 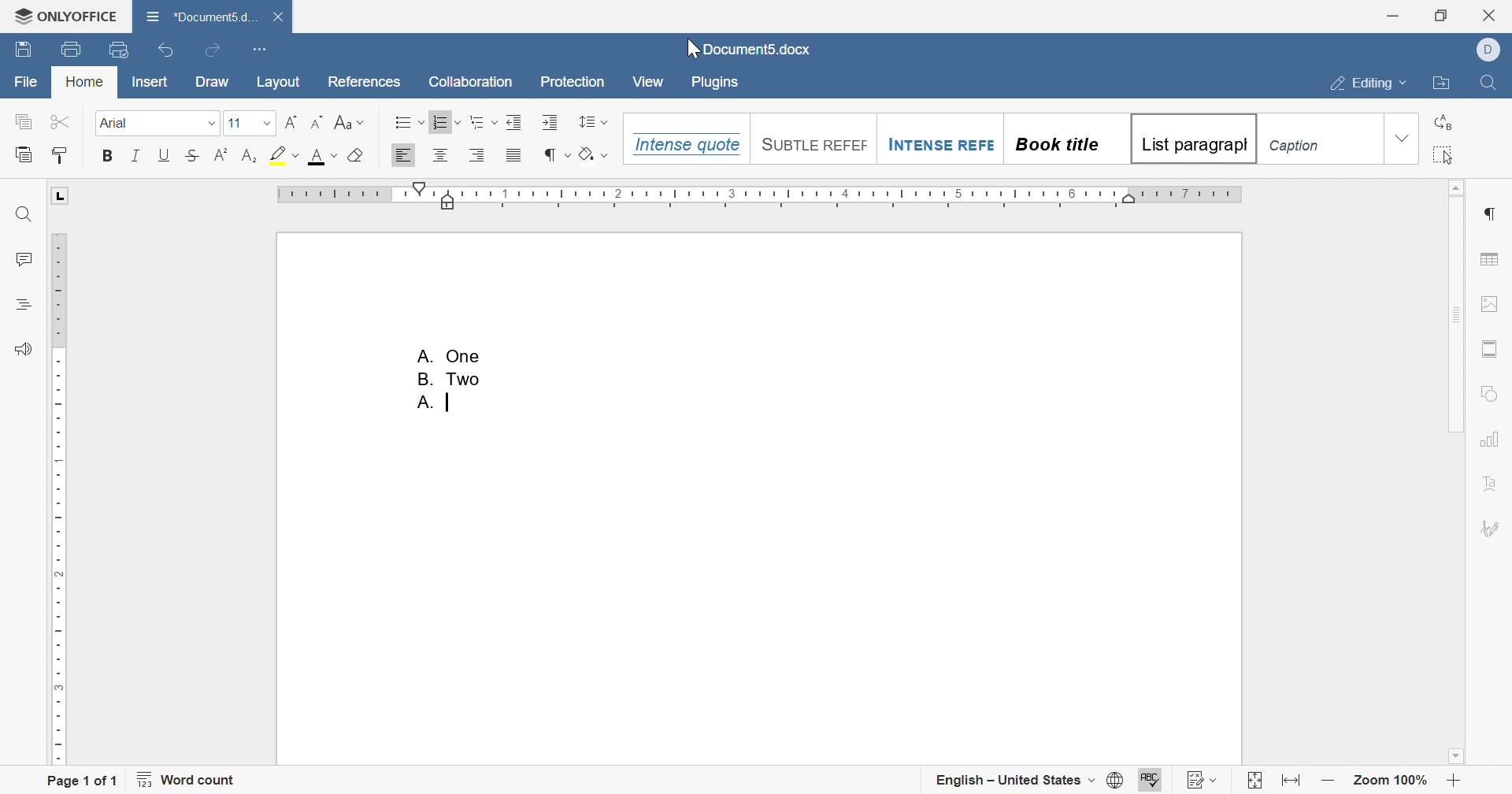 I want to click on feedback & support, so click(x=26, y=349).